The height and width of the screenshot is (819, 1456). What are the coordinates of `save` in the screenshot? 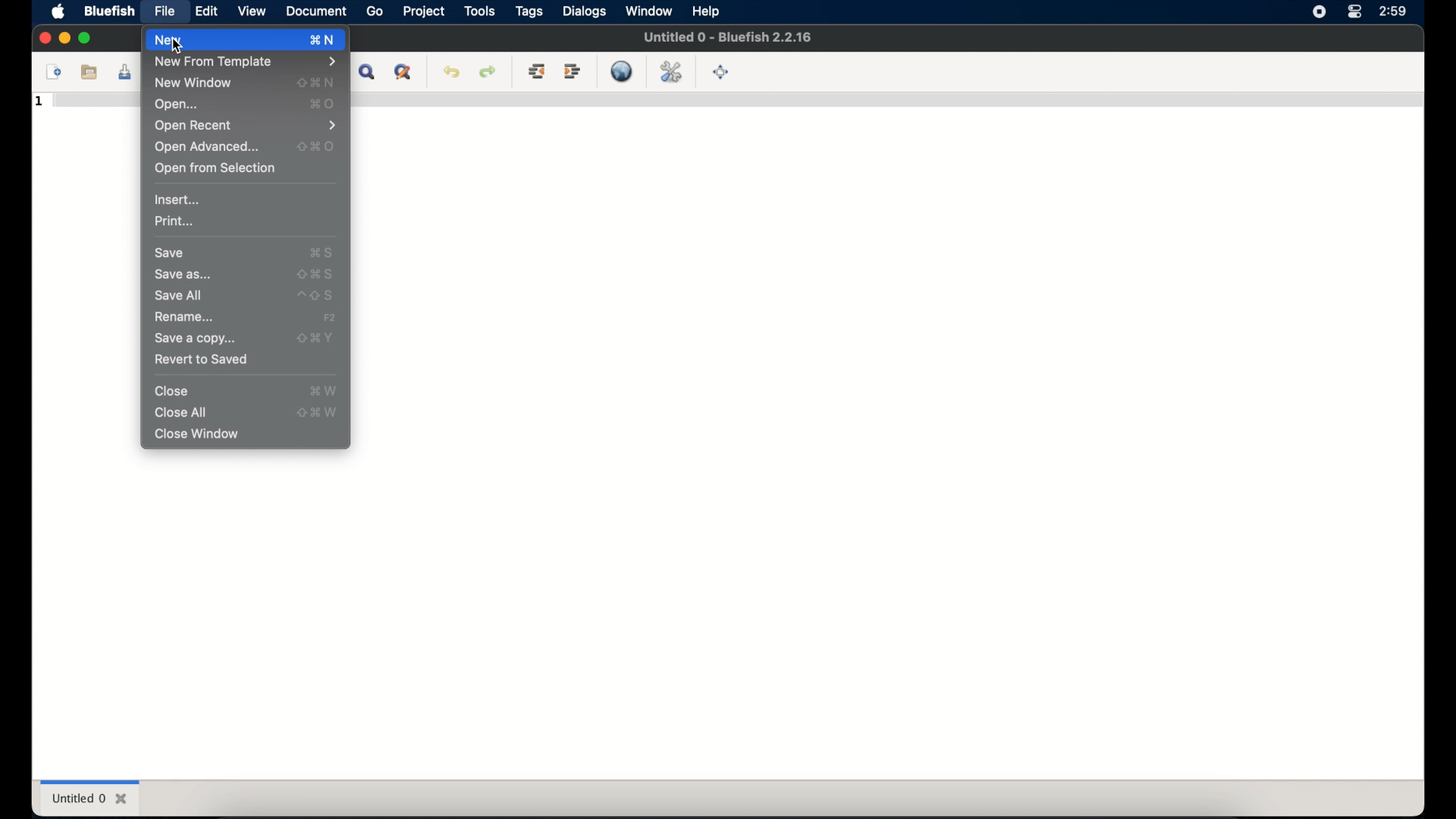 It's located at (171, 253).